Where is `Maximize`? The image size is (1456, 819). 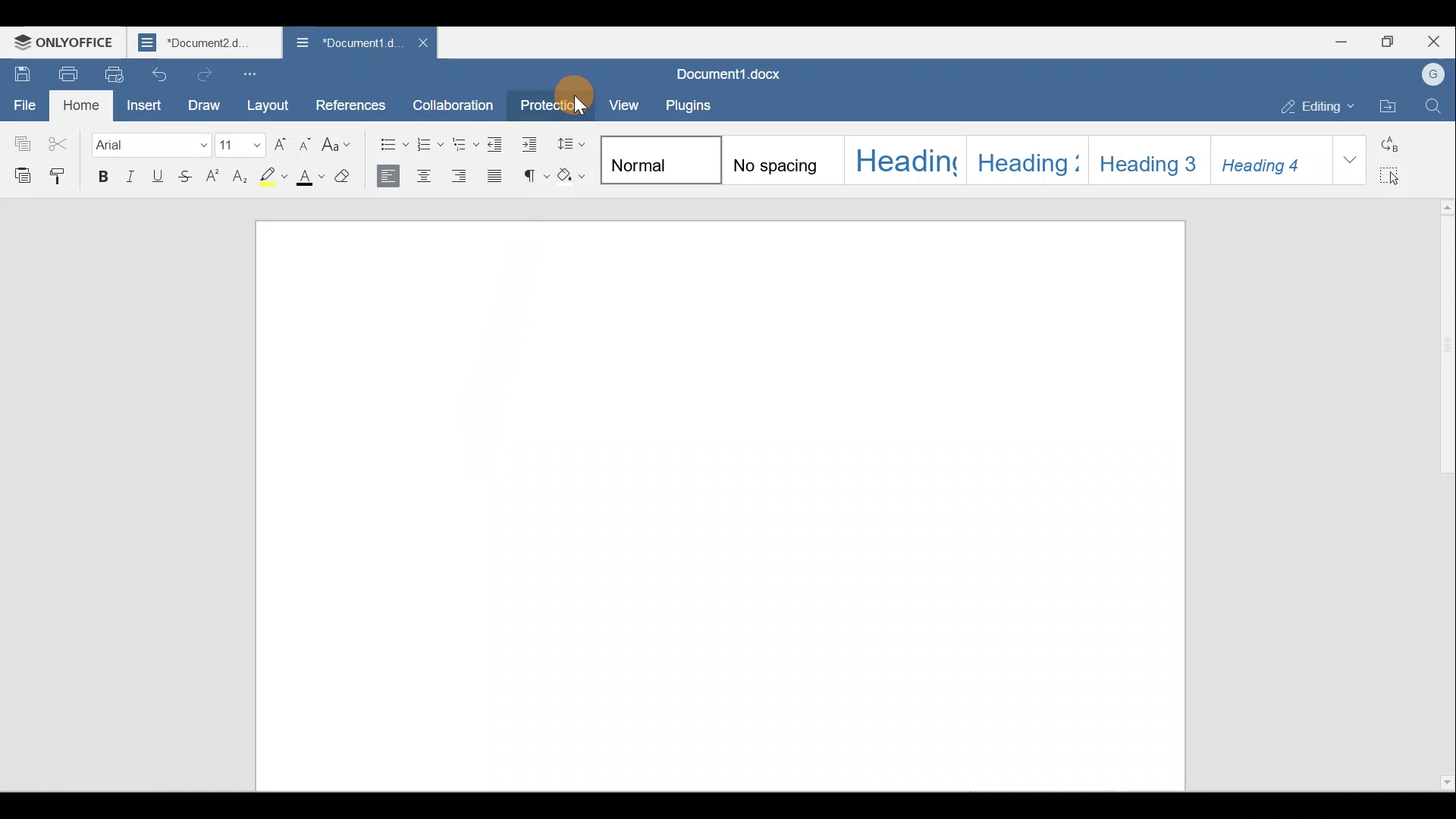 Maximize is located at coordinates (1386, 38).